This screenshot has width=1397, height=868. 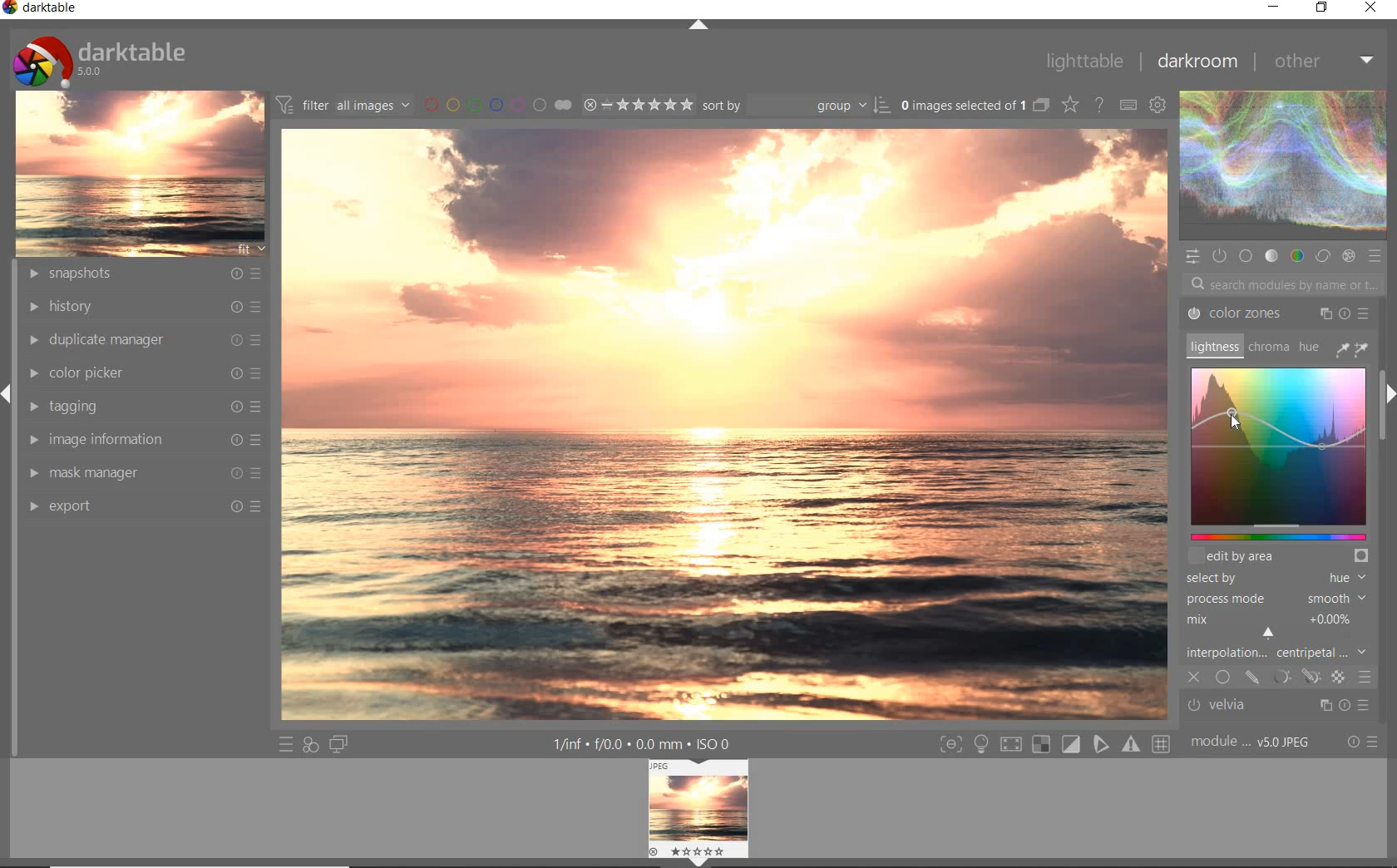 What do you see at coordinates (1271, 256) in the screenshot?
I see `TONE ` at bounding box center [1271, 256].